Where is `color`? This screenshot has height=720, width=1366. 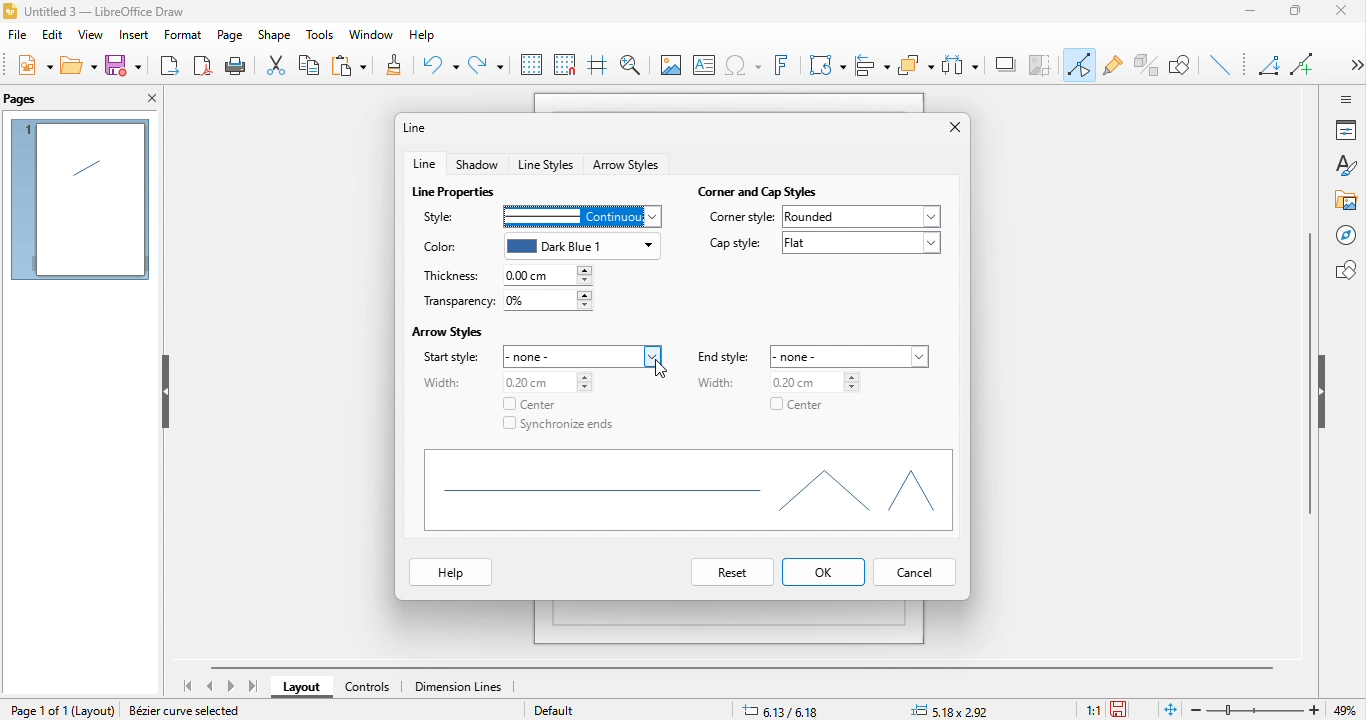 color is located at coordinates (440, 248).